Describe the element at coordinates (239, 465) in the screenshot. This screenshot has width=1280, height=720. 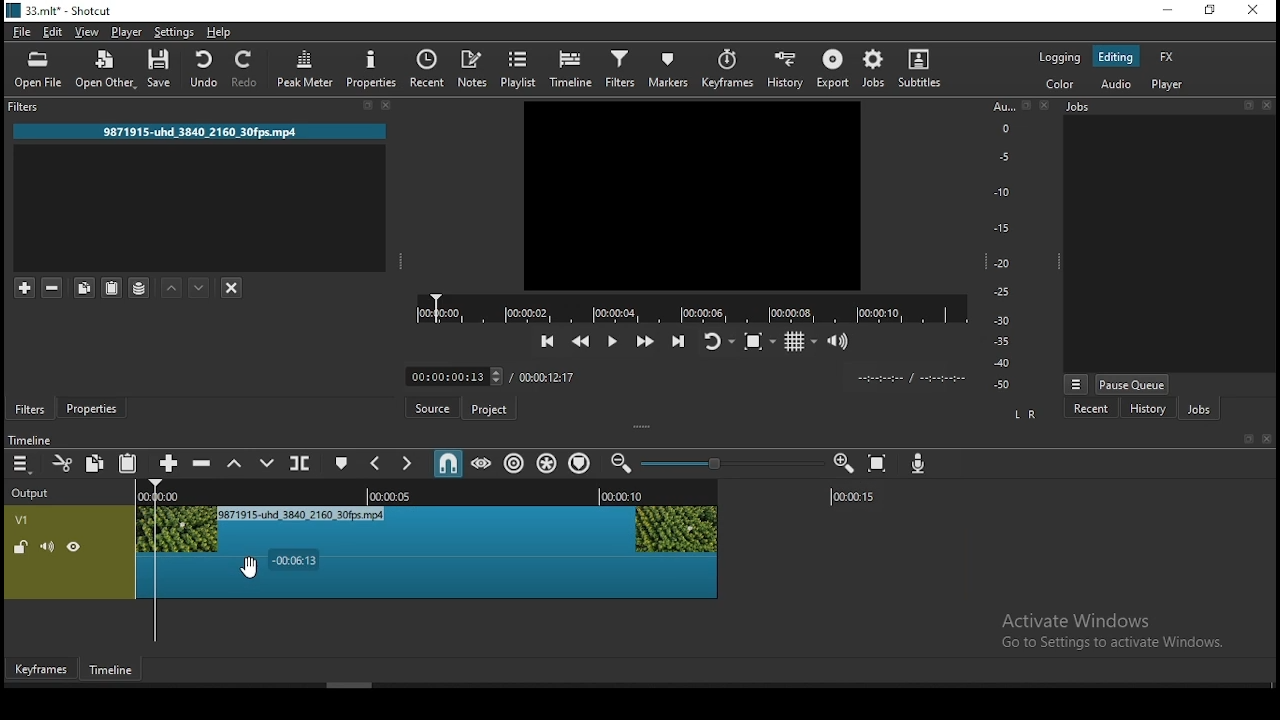
I see `lift` at that location.